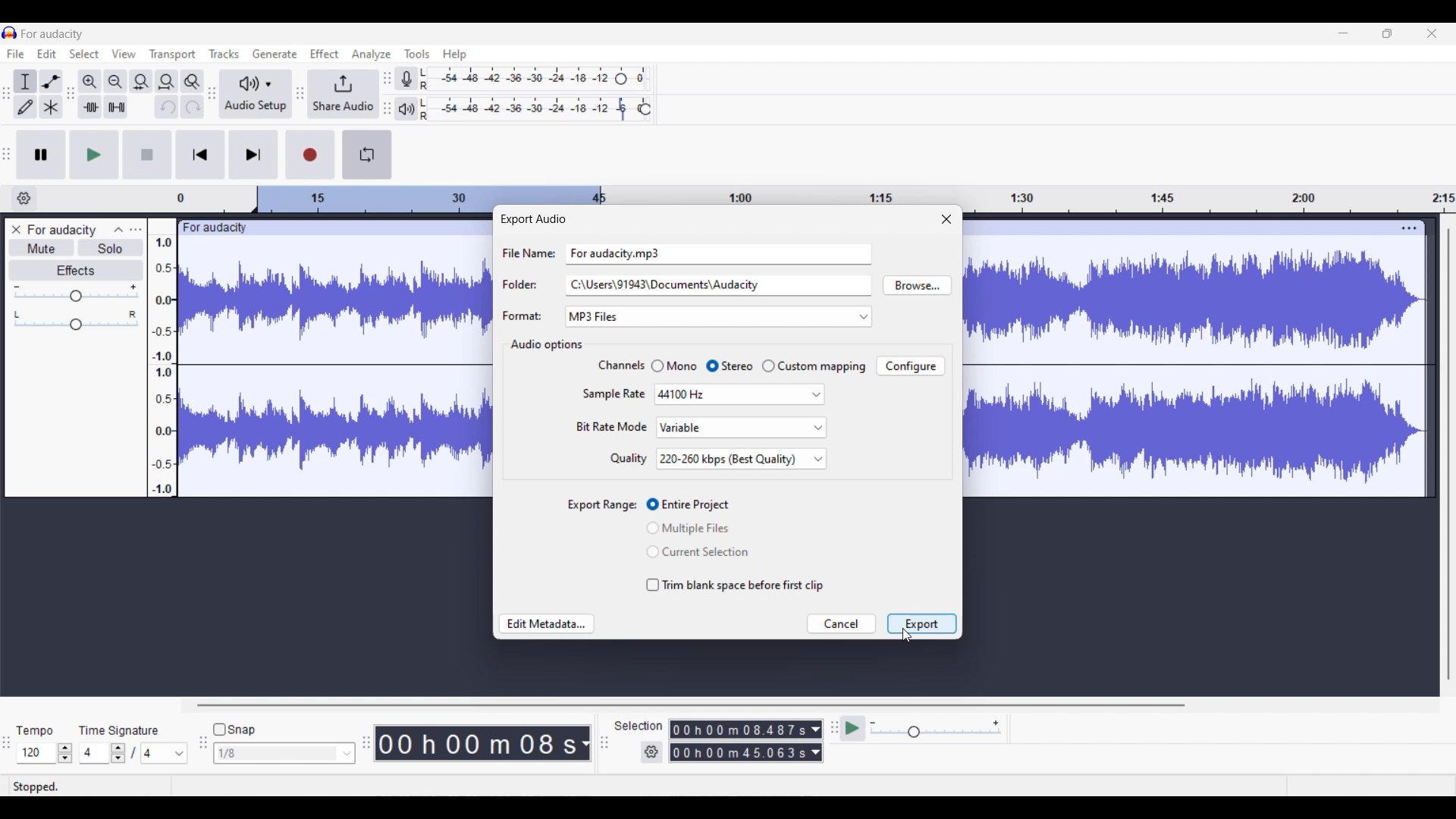 The image size is (1456, 819). I want to click on Selection tool, so click(24, 83).